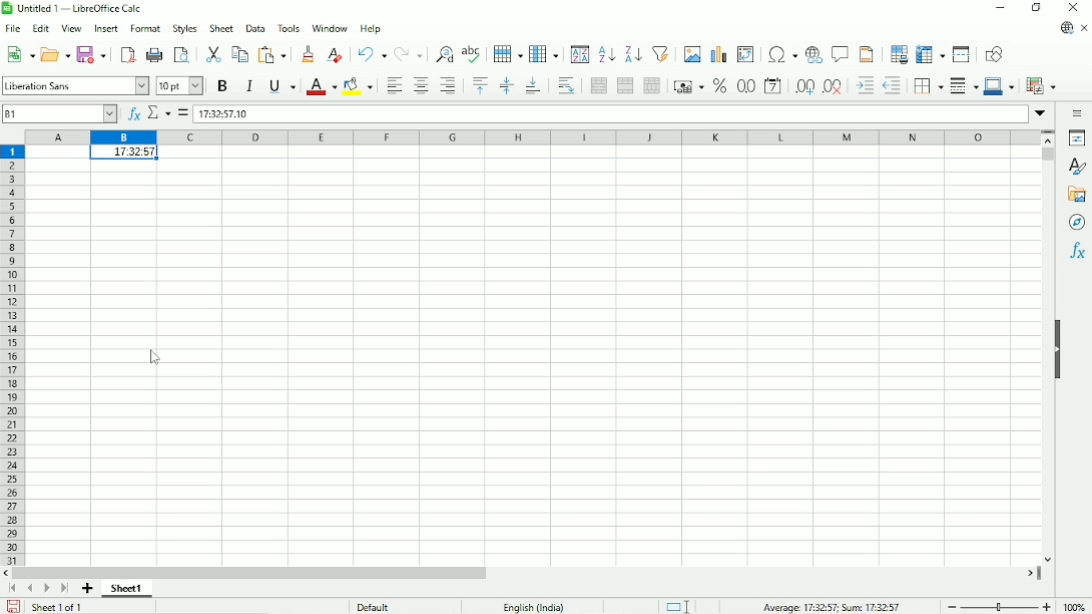 Image resolution: width=1092 pixels, height=614 pixels. I want to click on Scroll to next sheet, so click(46, 589).